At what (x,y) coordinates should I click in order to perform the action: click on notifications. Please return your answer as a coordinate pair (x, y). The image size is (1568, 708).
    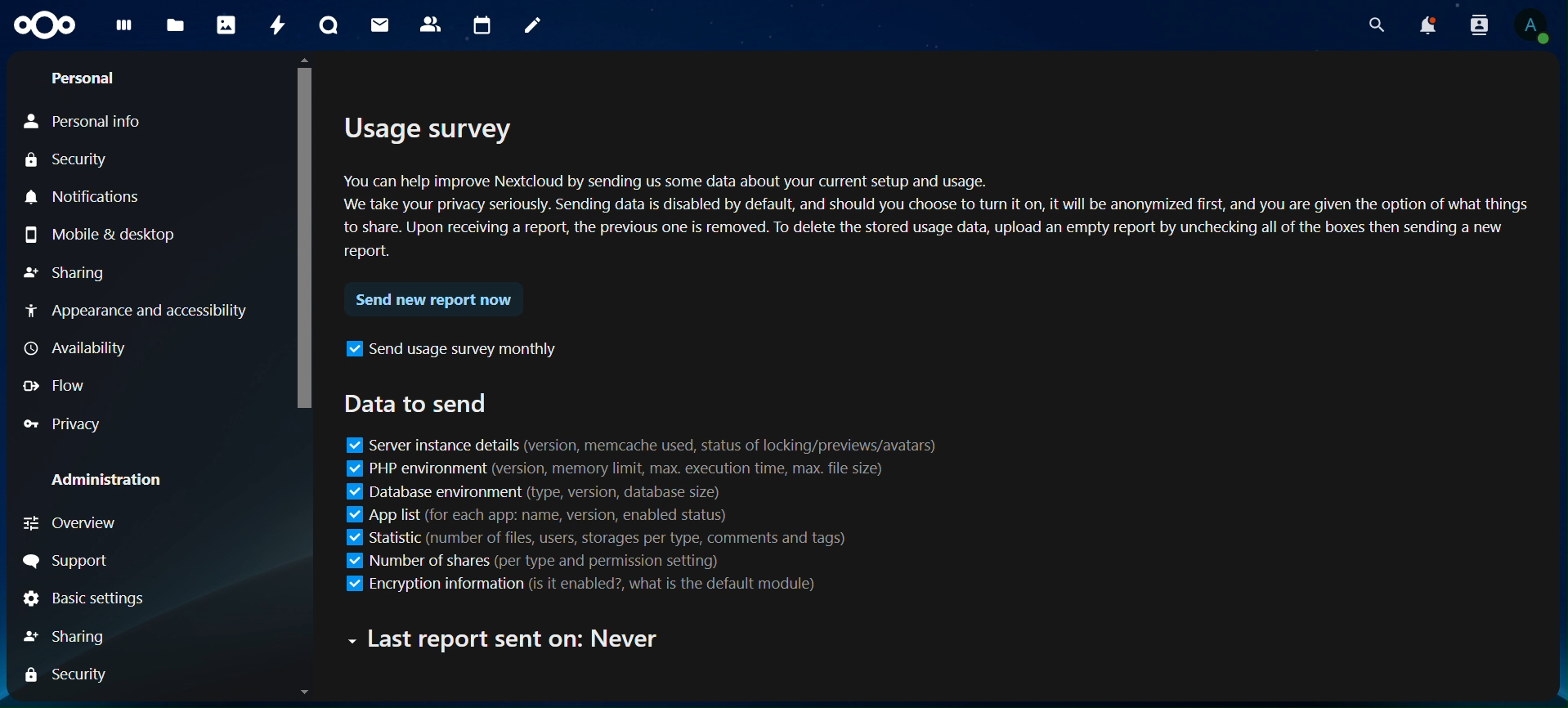
    Looking at the image, I should click on (1429, 23).